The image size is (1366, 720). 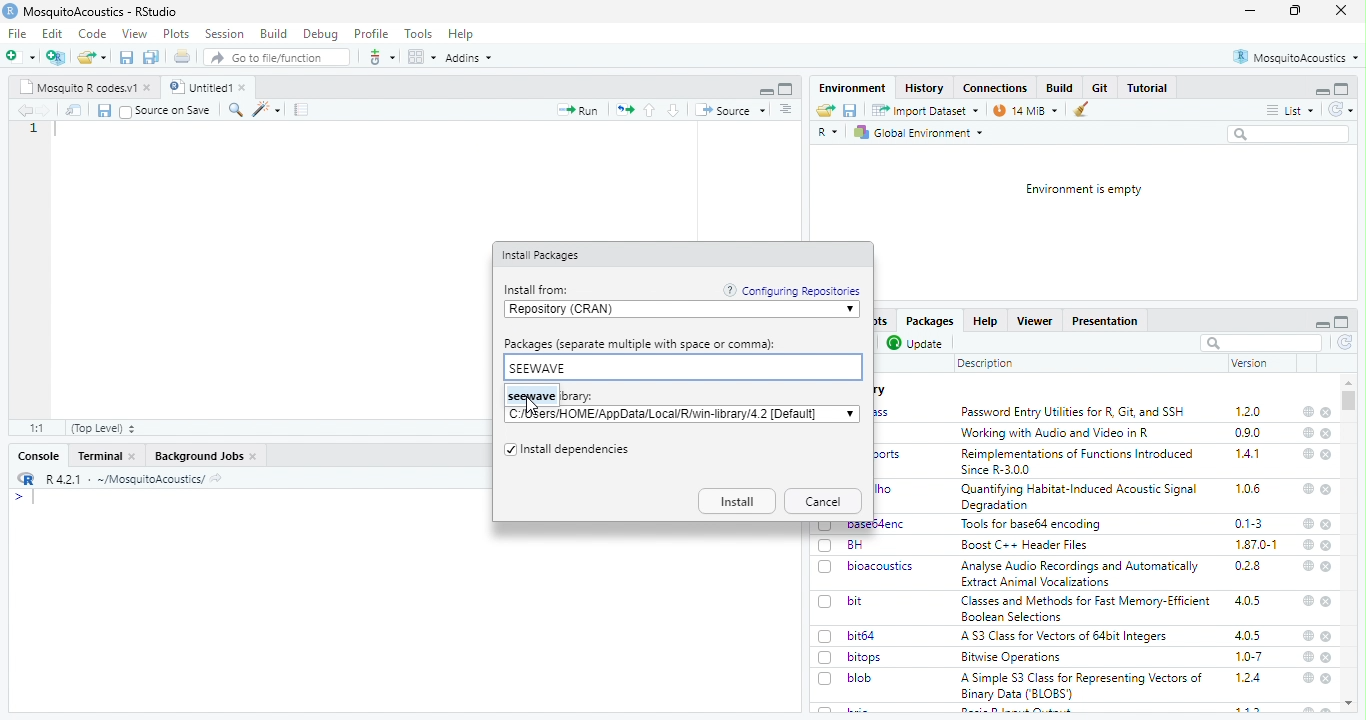 What do you see at coordinates (1327, 637) in the screenshot?
I see `close` at bounding box center [1327, 637].